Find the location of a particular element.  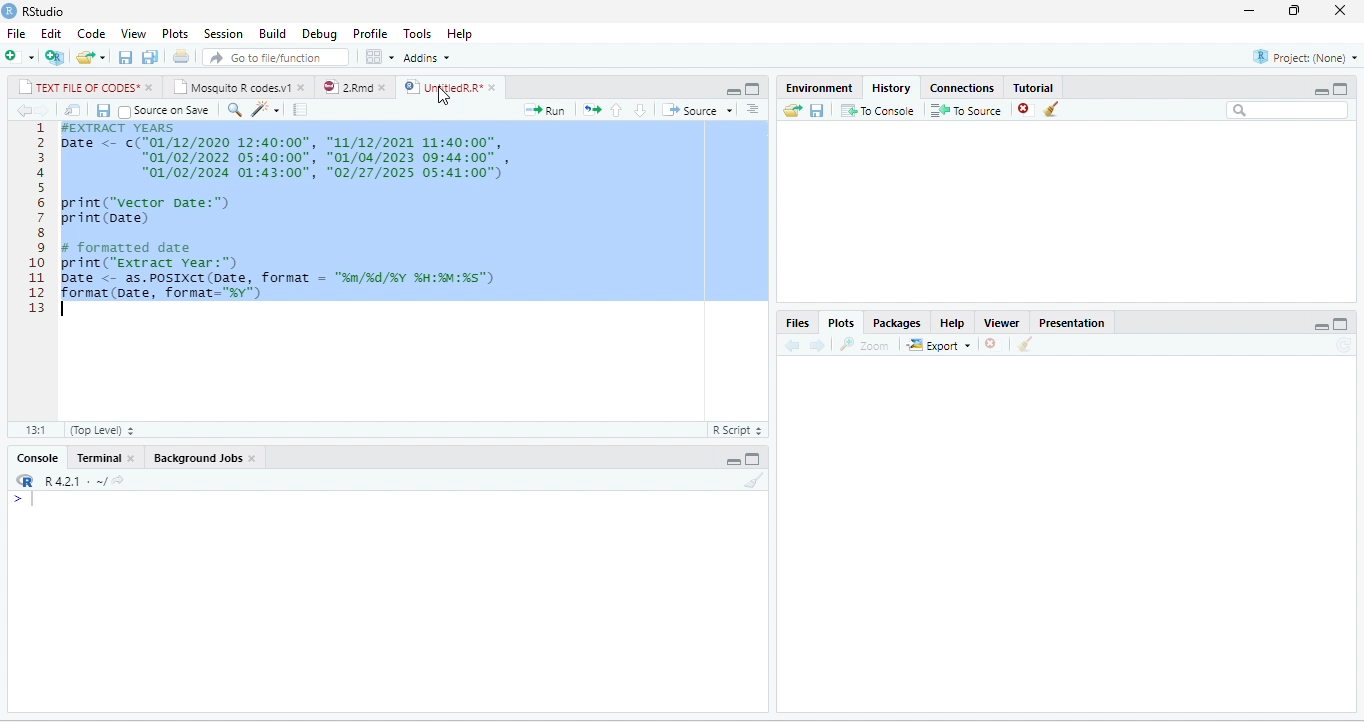

UntitledR.R is located at coordinates (442, 86).